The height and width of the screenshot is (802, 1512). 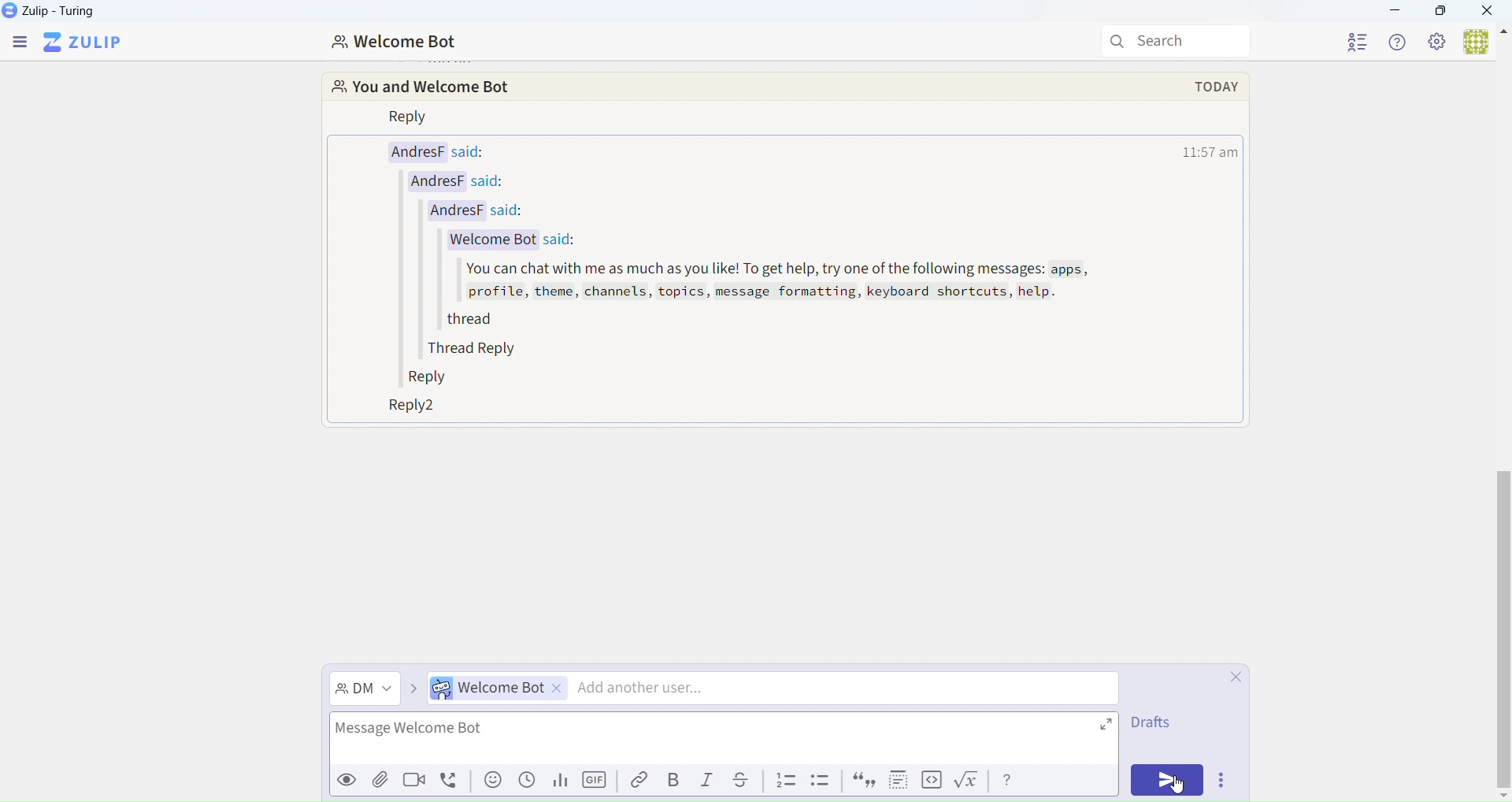 What do you see at coordinates (970, 782) in the screenshot?
I see `formula` at bounding box center [970, 782].